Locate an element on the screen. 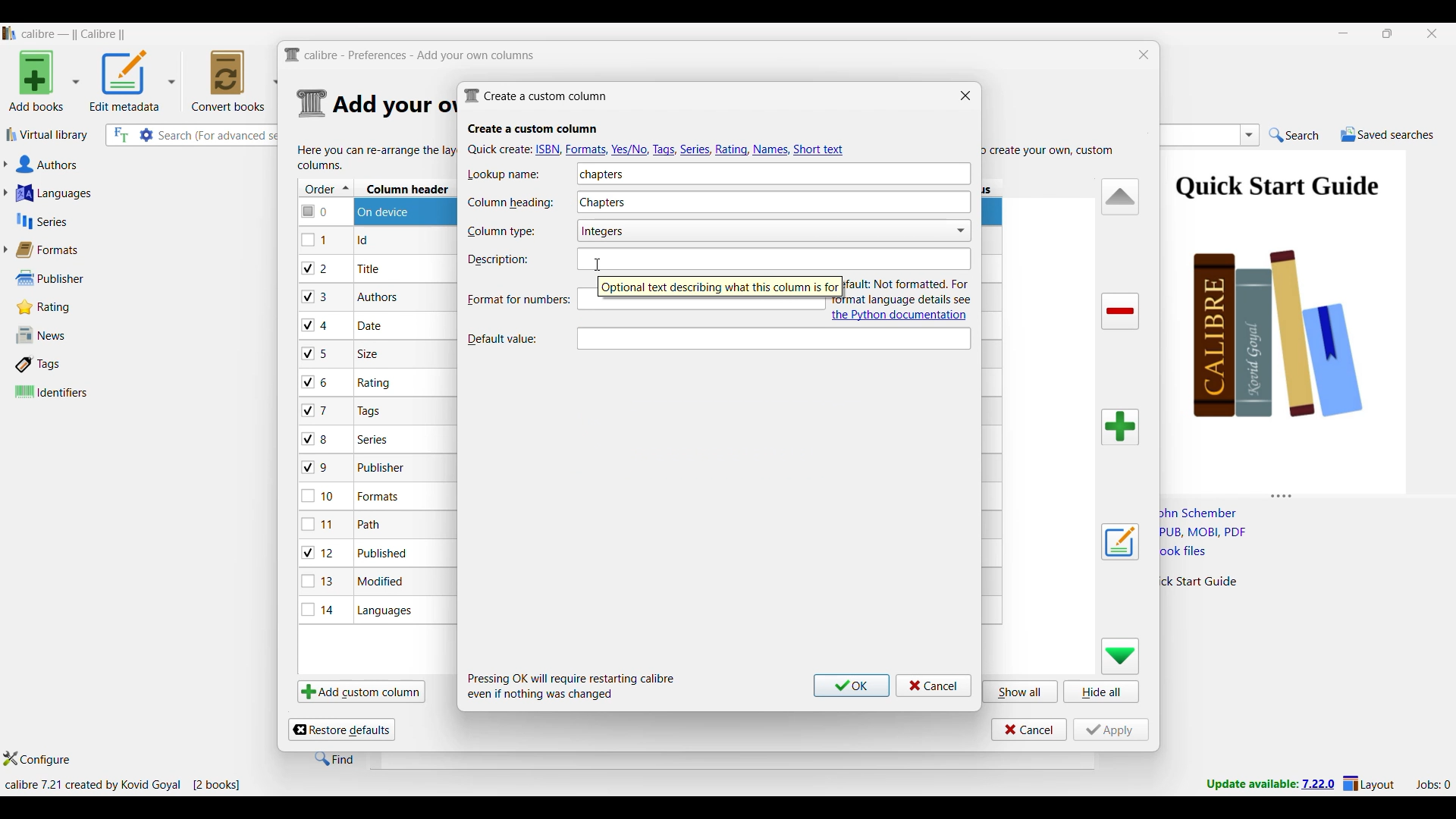 This screenshot has width=1456, height=819. checkbox - 5 is located at coordinates (321, 353).